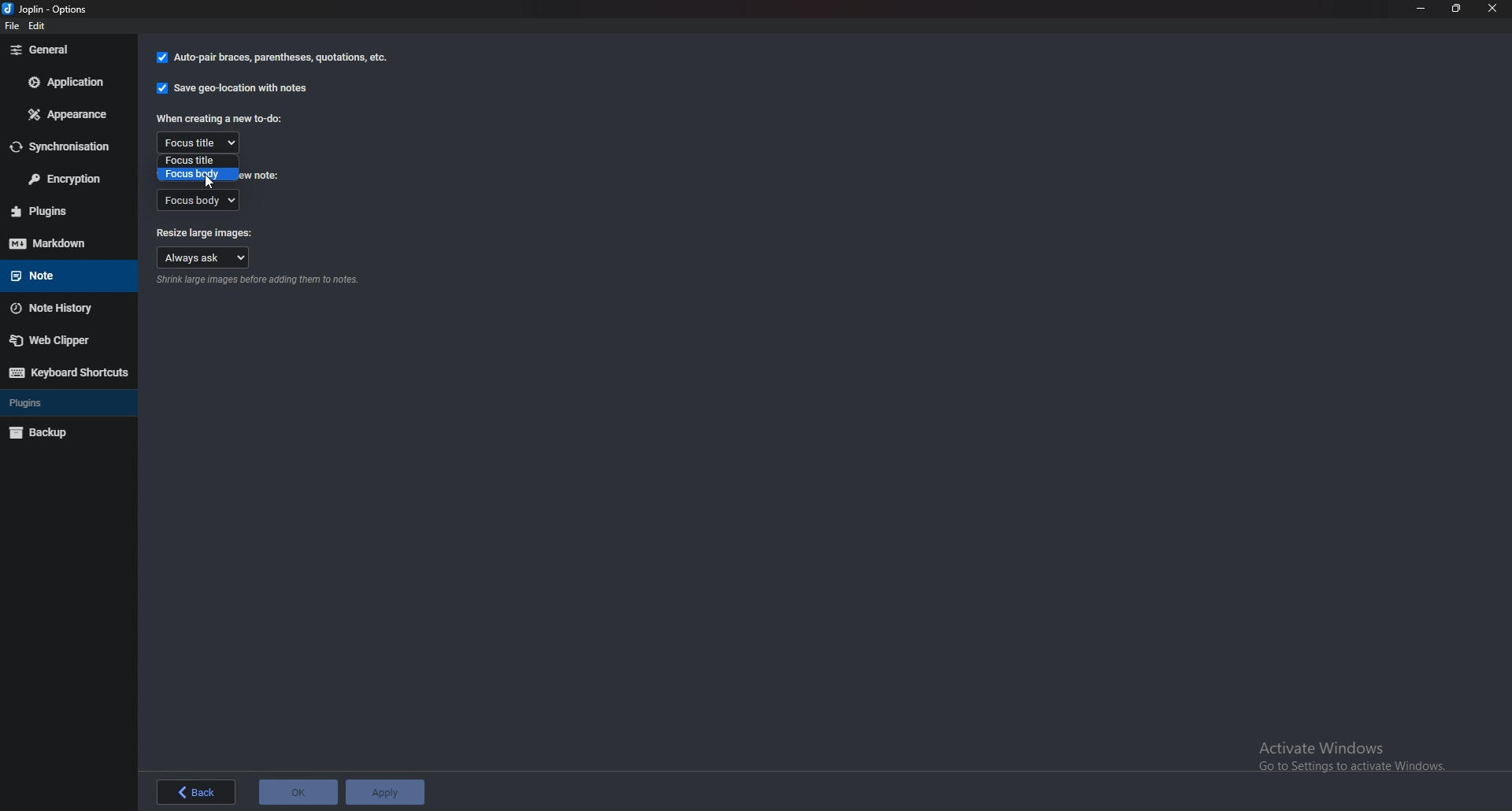 The height and width of the screenshot is (811, 1512). Describe the element at coordinates (199, 174) in the screenshot. I see `Focus body` at that location.